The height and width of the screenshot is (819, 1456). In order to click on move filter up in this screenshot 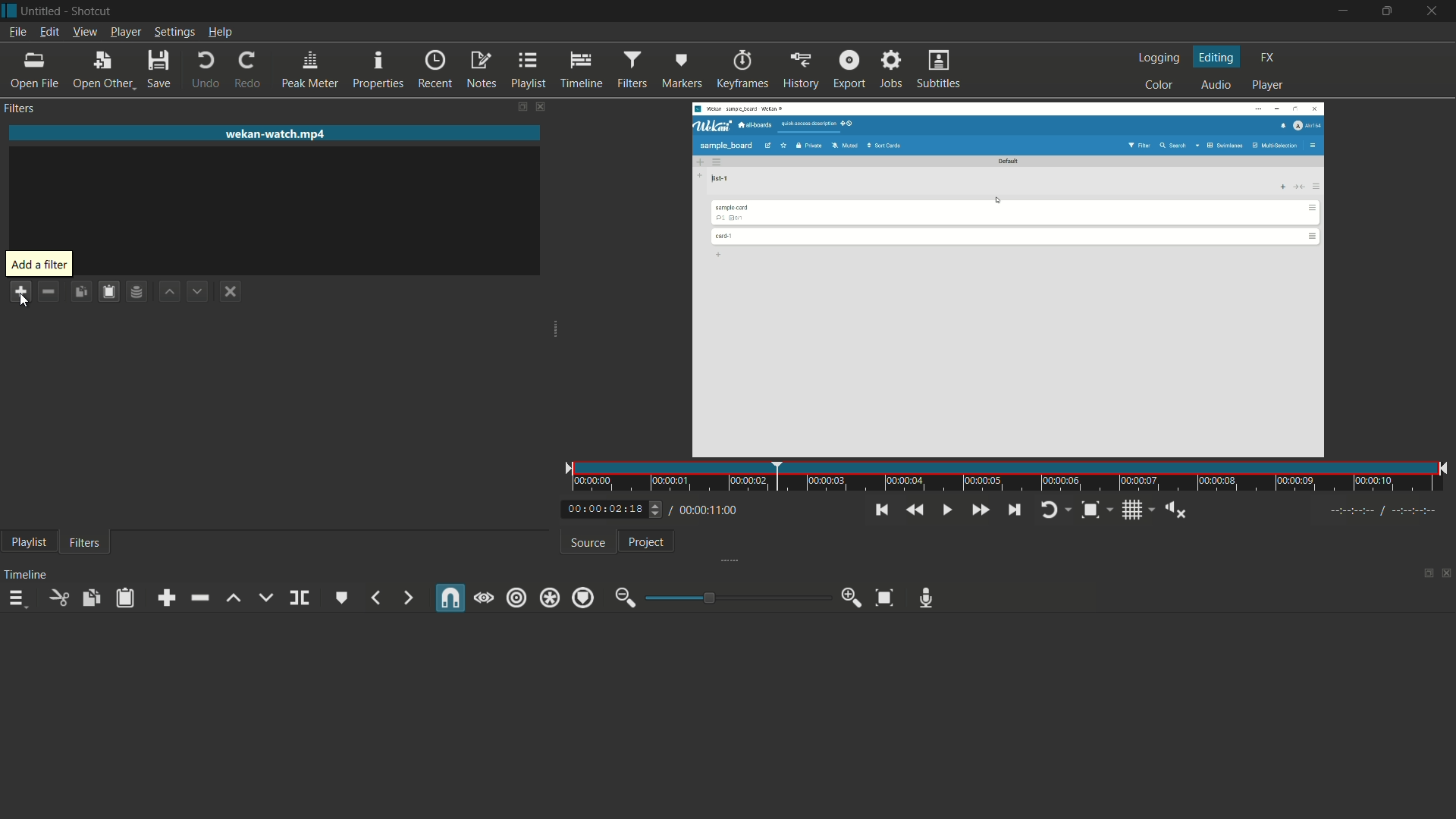, I will do `click(168, 290)`.